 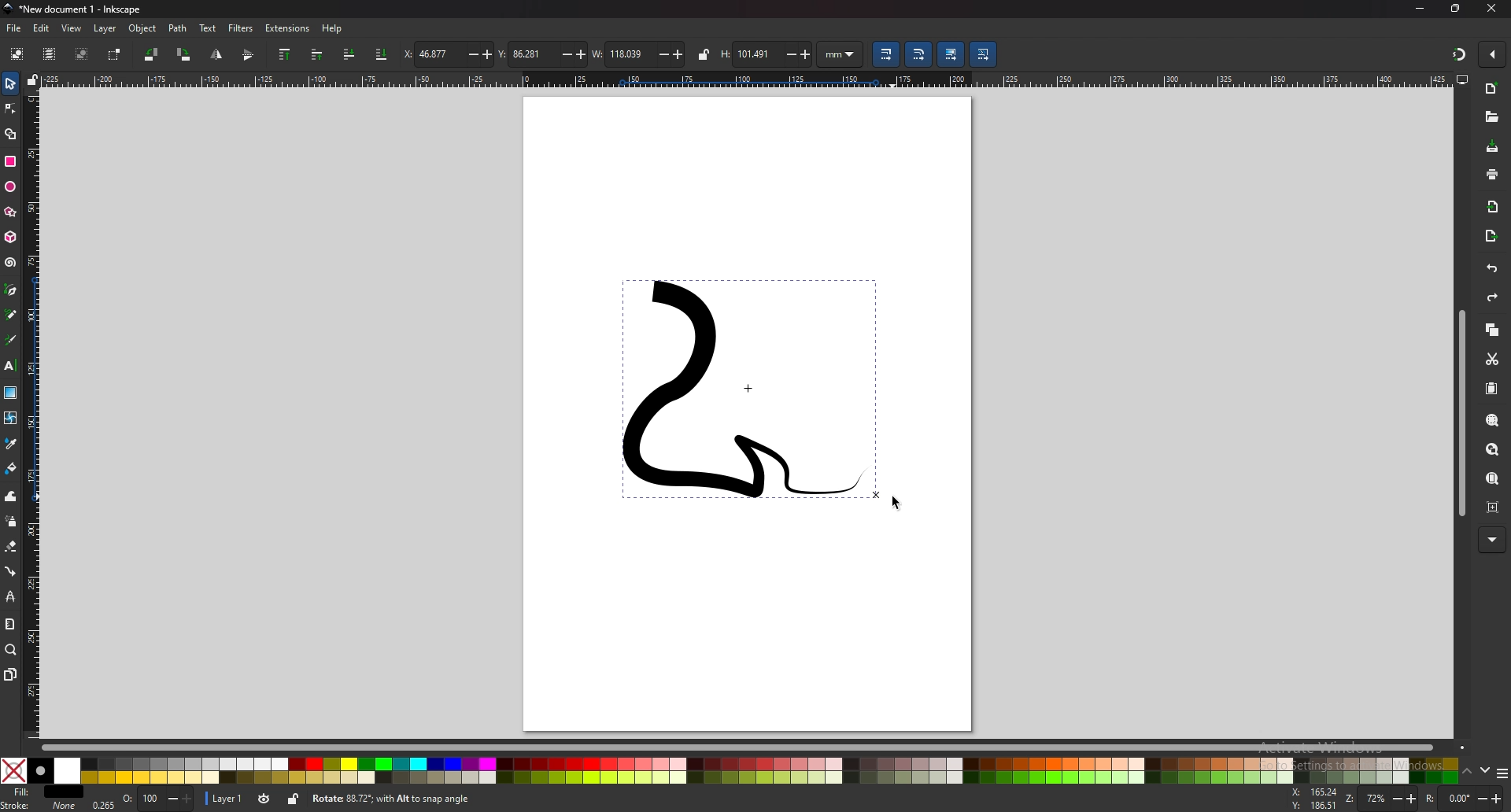 I want to click on move gradient, so click(x=950, y=54).